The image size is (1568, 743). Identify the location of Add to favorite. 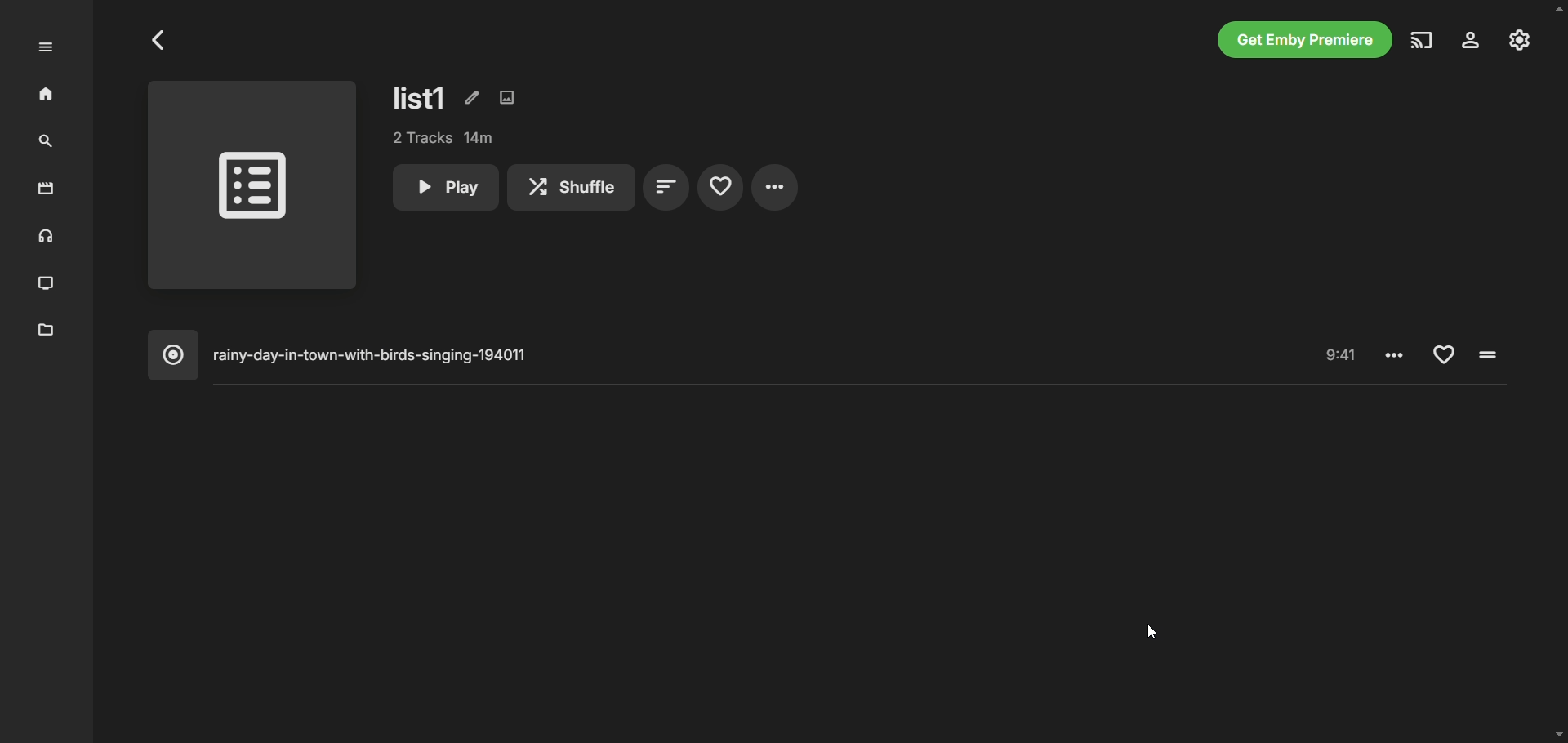
(1443, 354).